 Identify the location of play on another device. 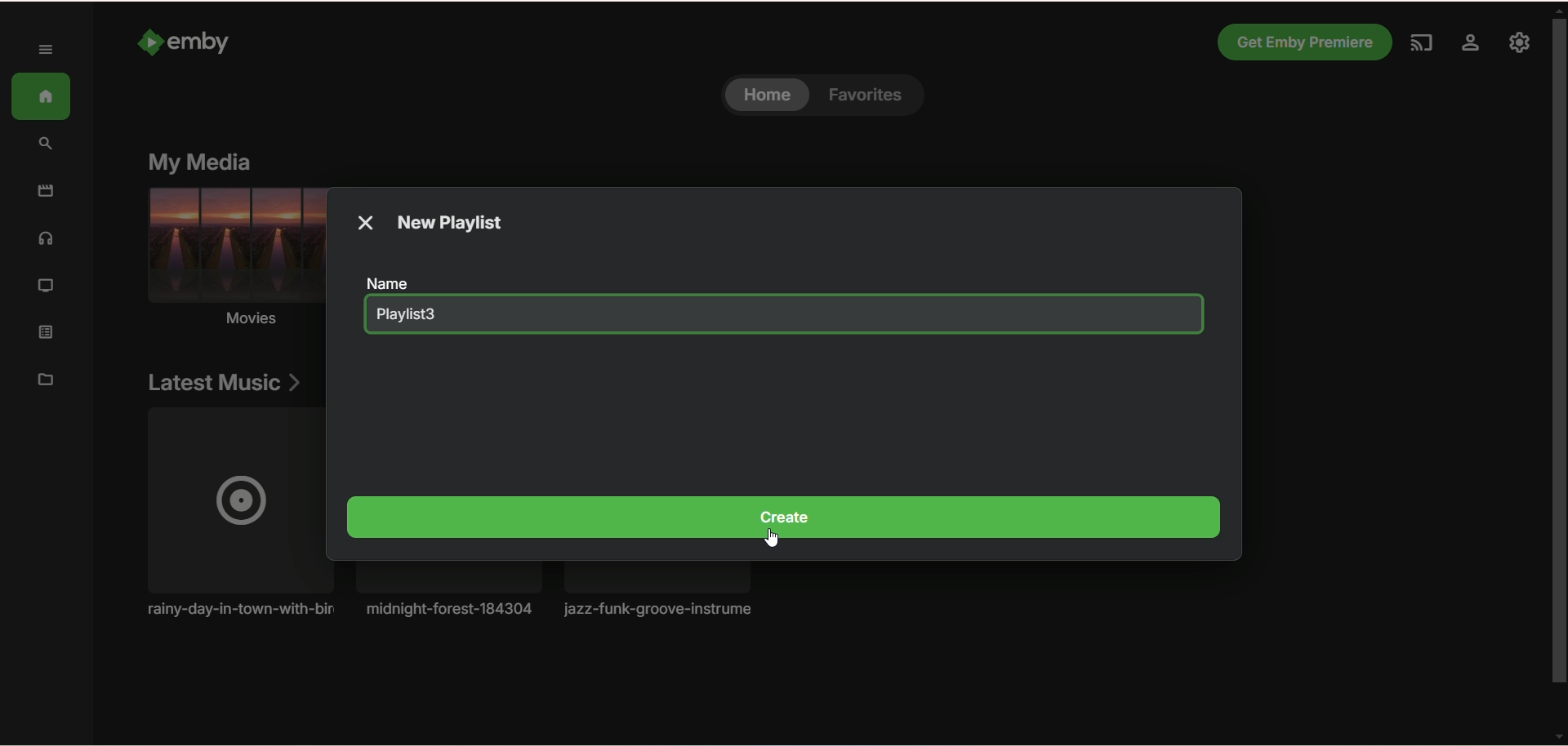
(1419, 45).